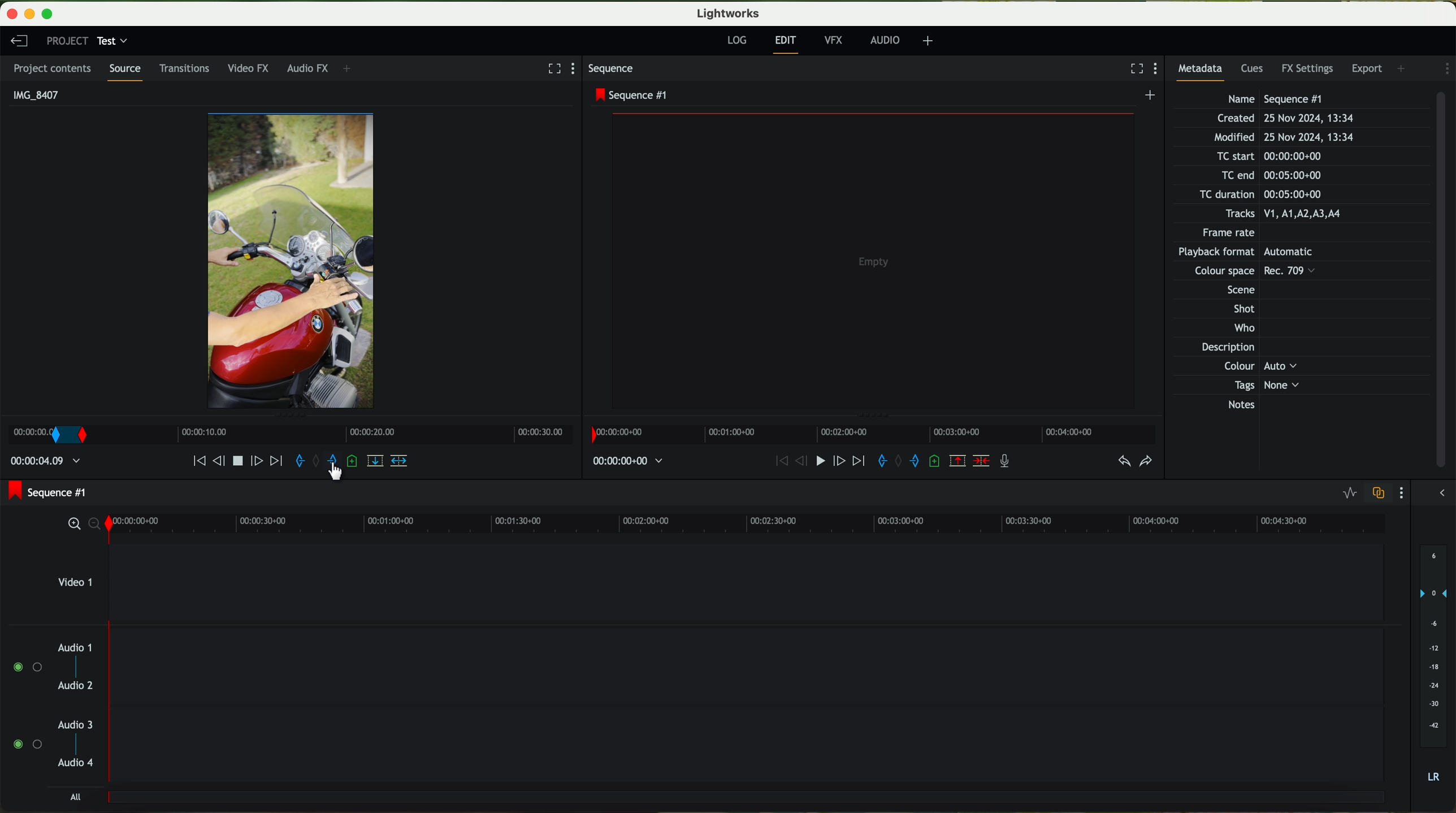  Describe the element at coordinates (1204, 71) in the screenshot. I see `metadata` at that location.